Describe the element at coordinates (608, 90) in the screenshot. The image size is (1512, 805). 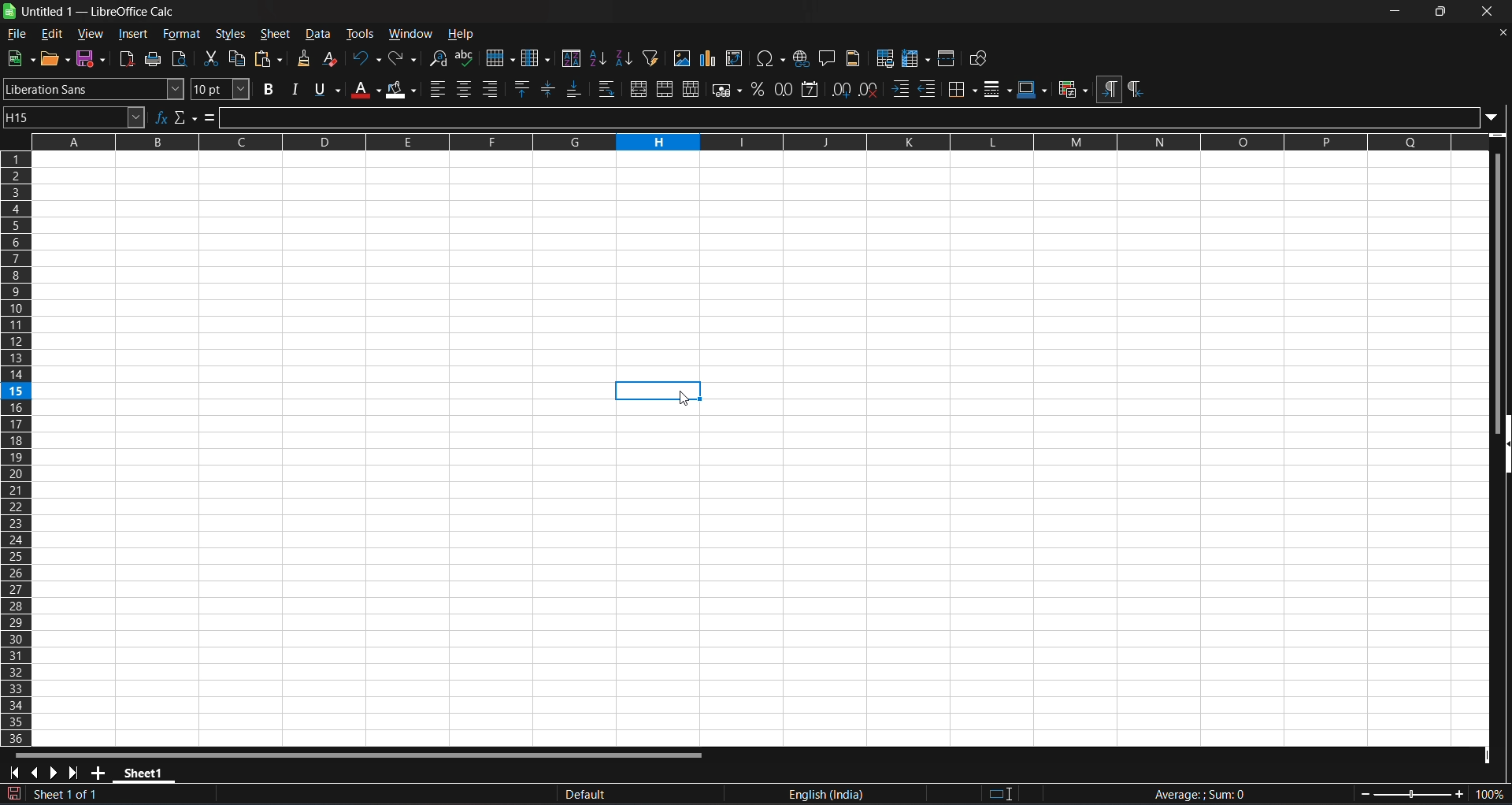
I see `warp text` at that location.